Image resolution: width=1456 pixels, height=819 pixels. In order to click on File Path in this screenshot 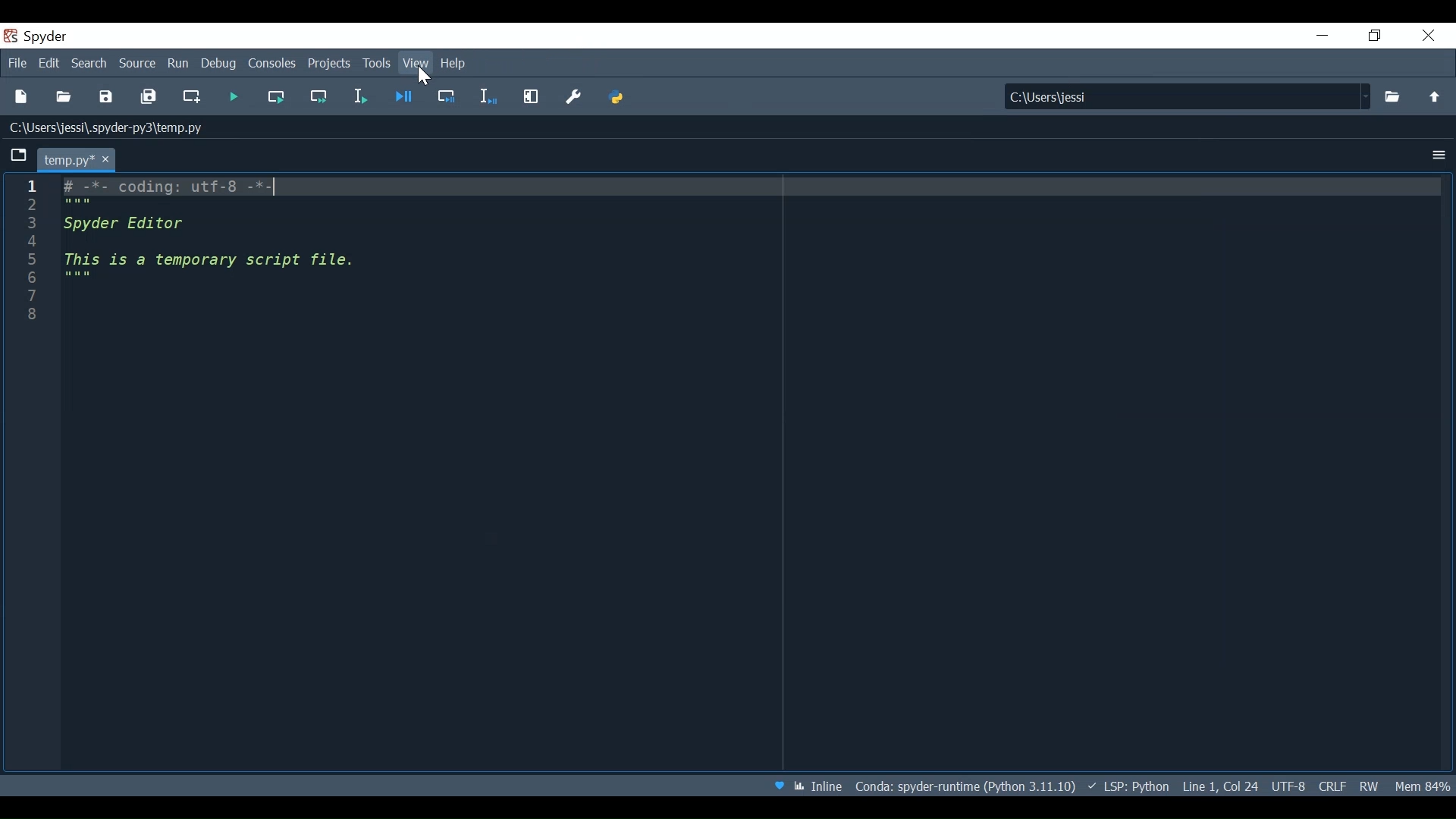, I will do `click(962, 786)`.